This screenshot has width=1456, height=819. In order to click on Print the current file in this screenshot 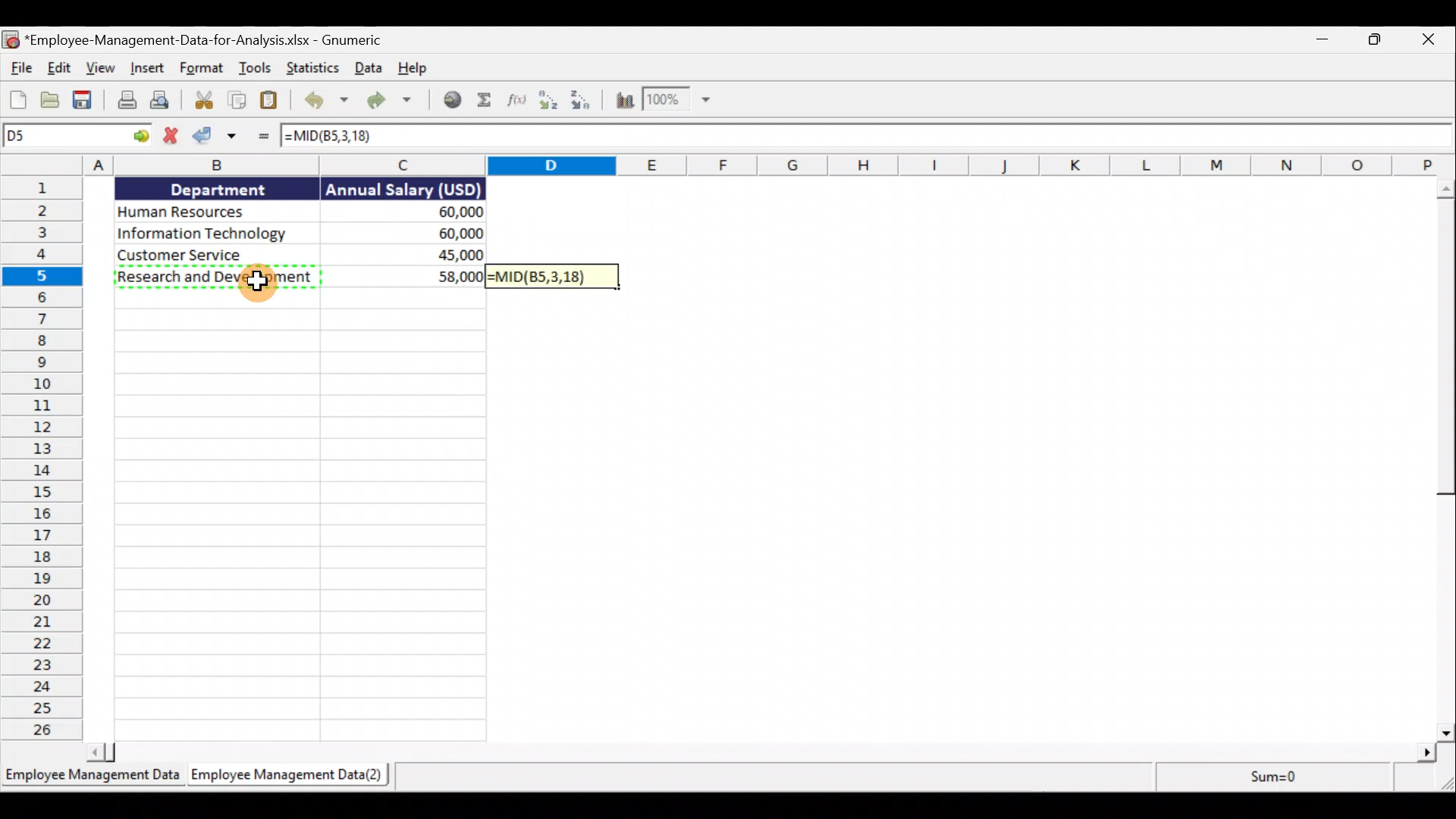, I will do `click(124, 101)`.